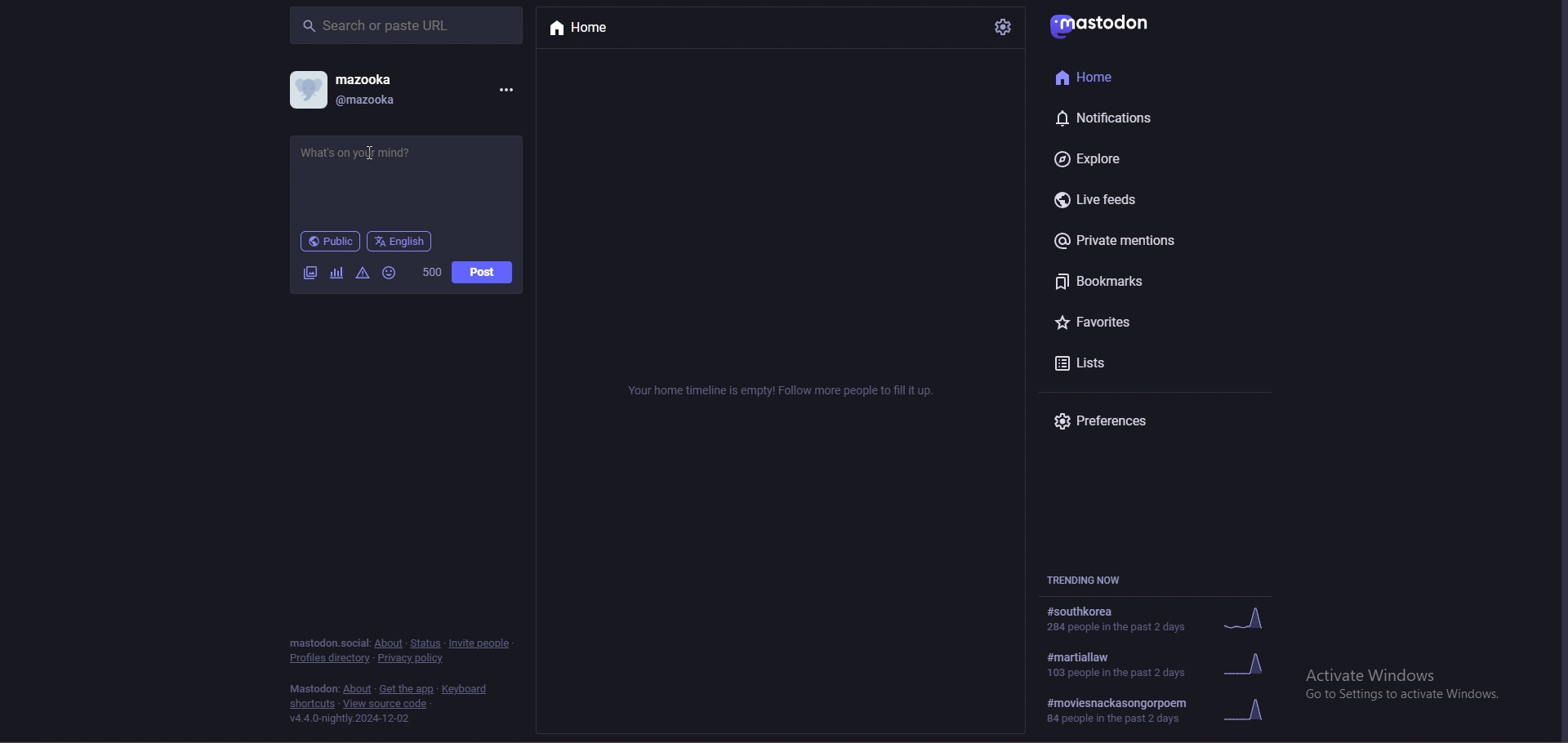 Image resolution: width=1568 pixels, height=743 pixels. I want to click on Your home timeline is empty! Follow more people to fill it up., so click(768, 394).